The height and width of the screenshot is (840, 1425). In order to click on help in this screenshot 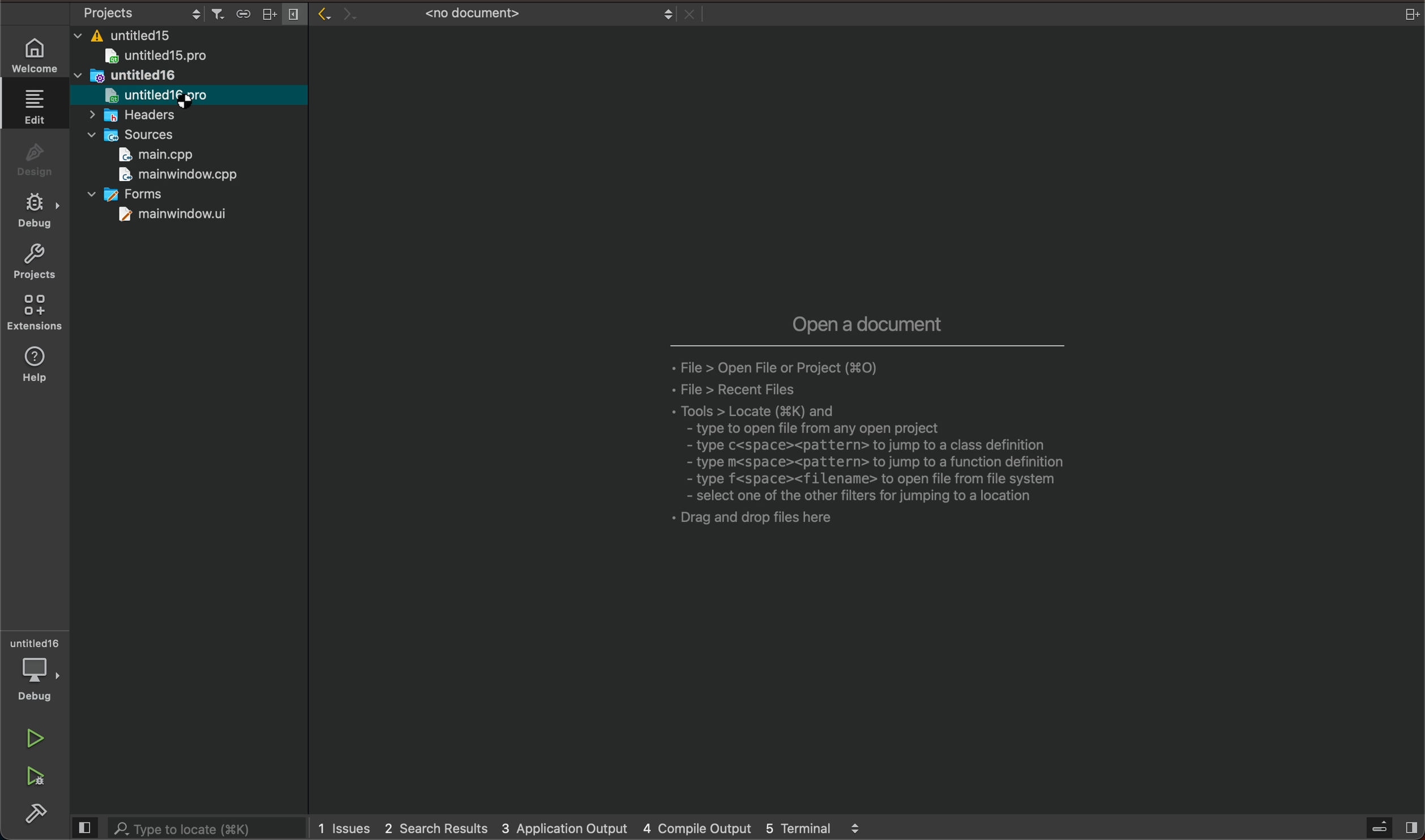, I will do `click(38, 364)`.